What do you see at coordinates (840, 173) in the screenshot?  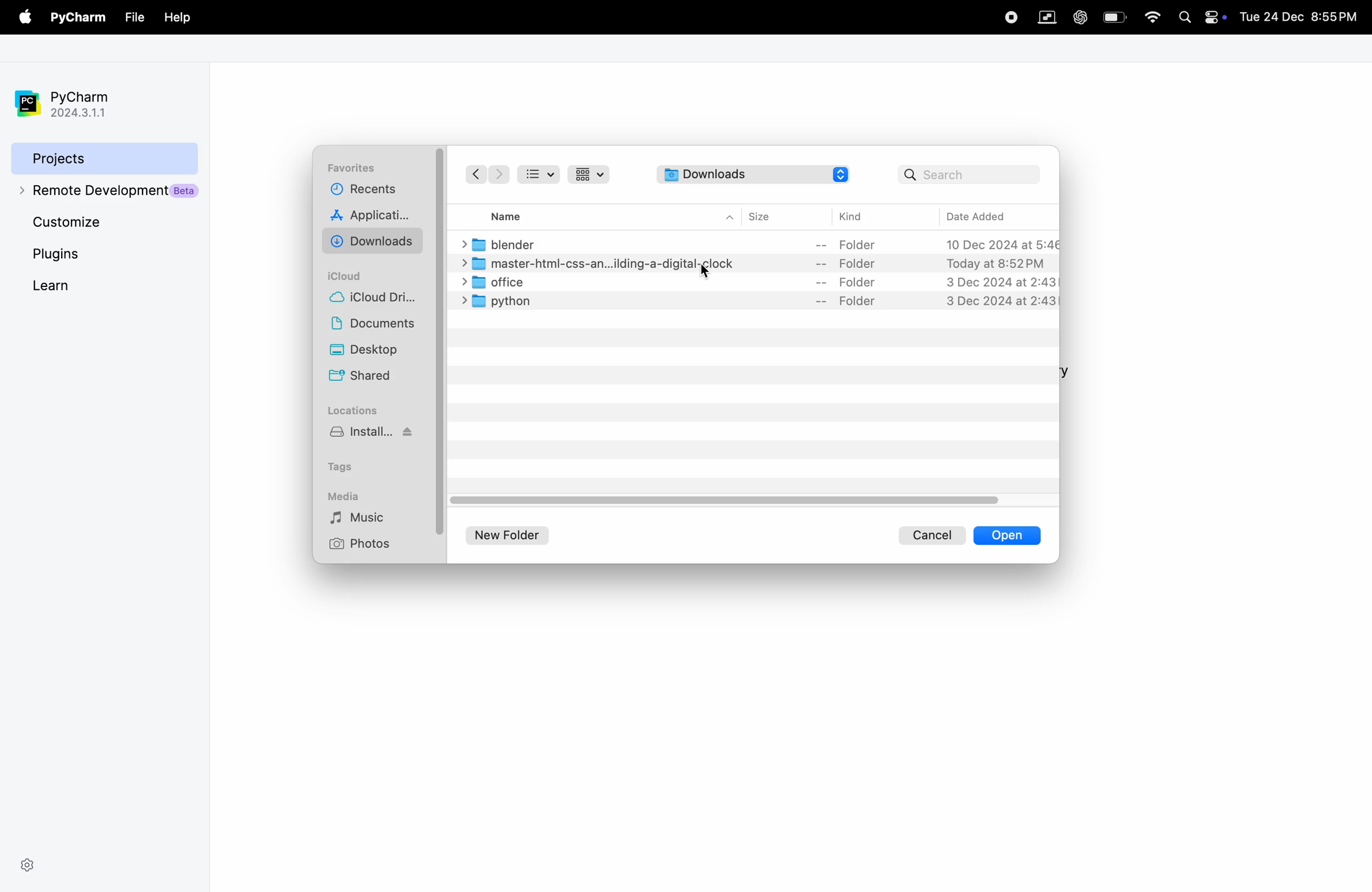 I see `logo` at bounding box center [840, 173].